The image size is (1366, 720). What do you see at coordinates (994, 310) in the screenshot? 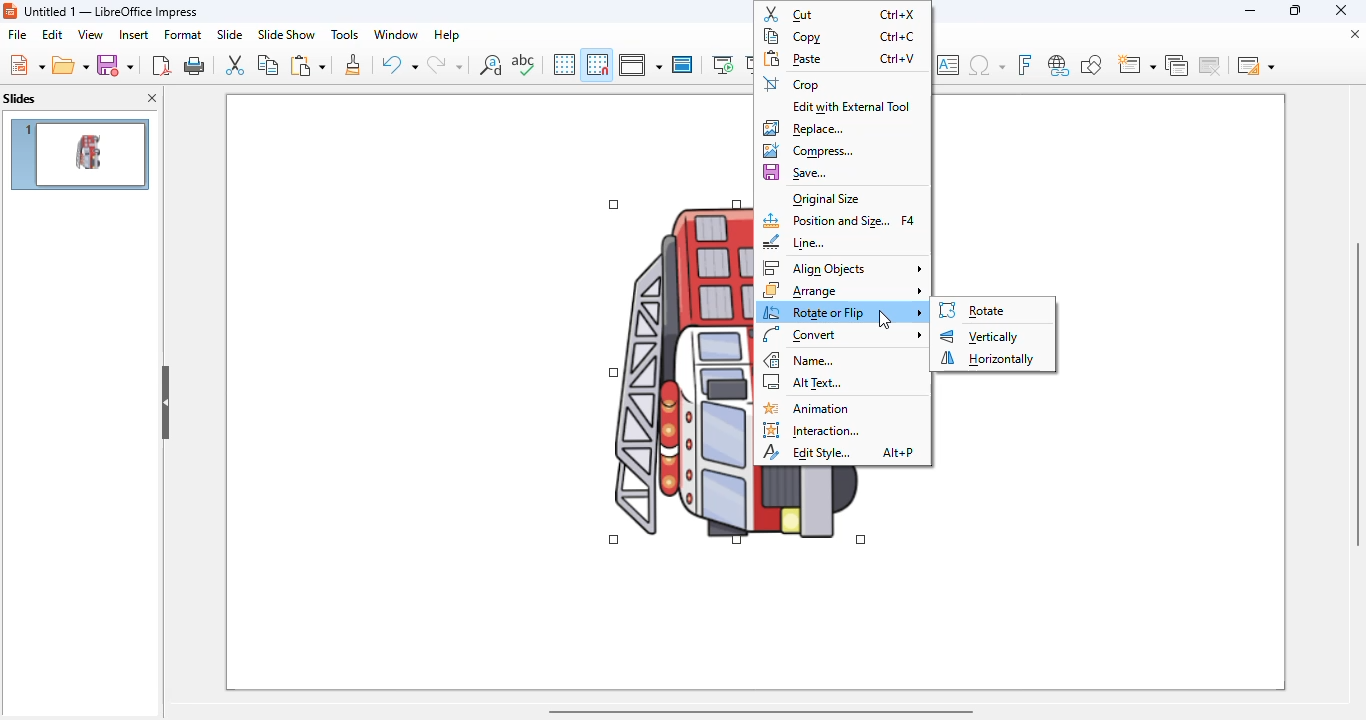
I see `rotate` at bounding box center [994, 310].